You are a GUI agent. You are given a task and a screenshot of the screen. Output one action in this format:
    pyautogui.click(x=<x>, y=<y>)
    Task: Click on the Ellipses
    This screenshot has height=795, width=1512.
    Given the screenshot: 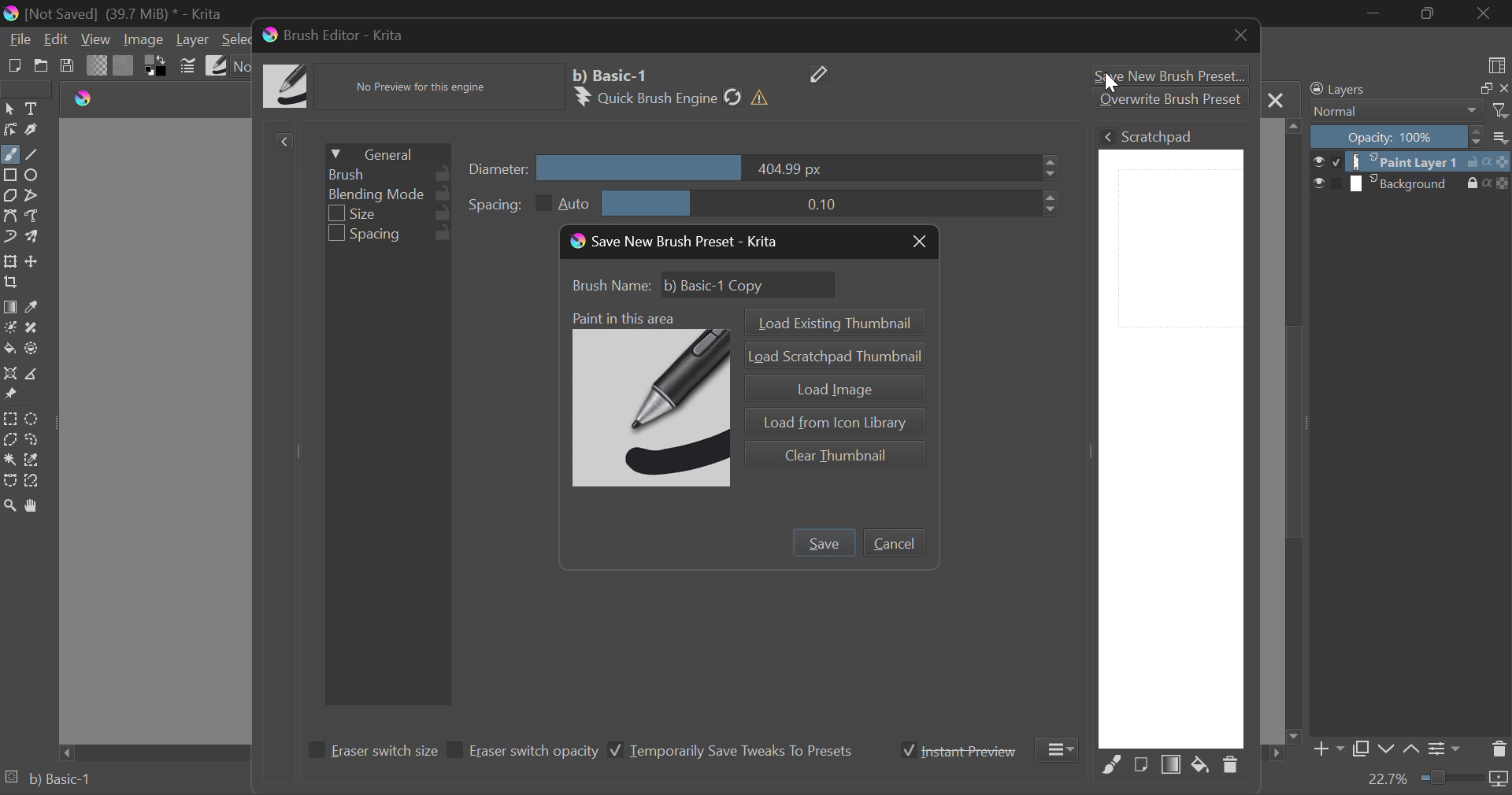 What is the action you would take?
    pyautogui.click(x=34, y=176)
    